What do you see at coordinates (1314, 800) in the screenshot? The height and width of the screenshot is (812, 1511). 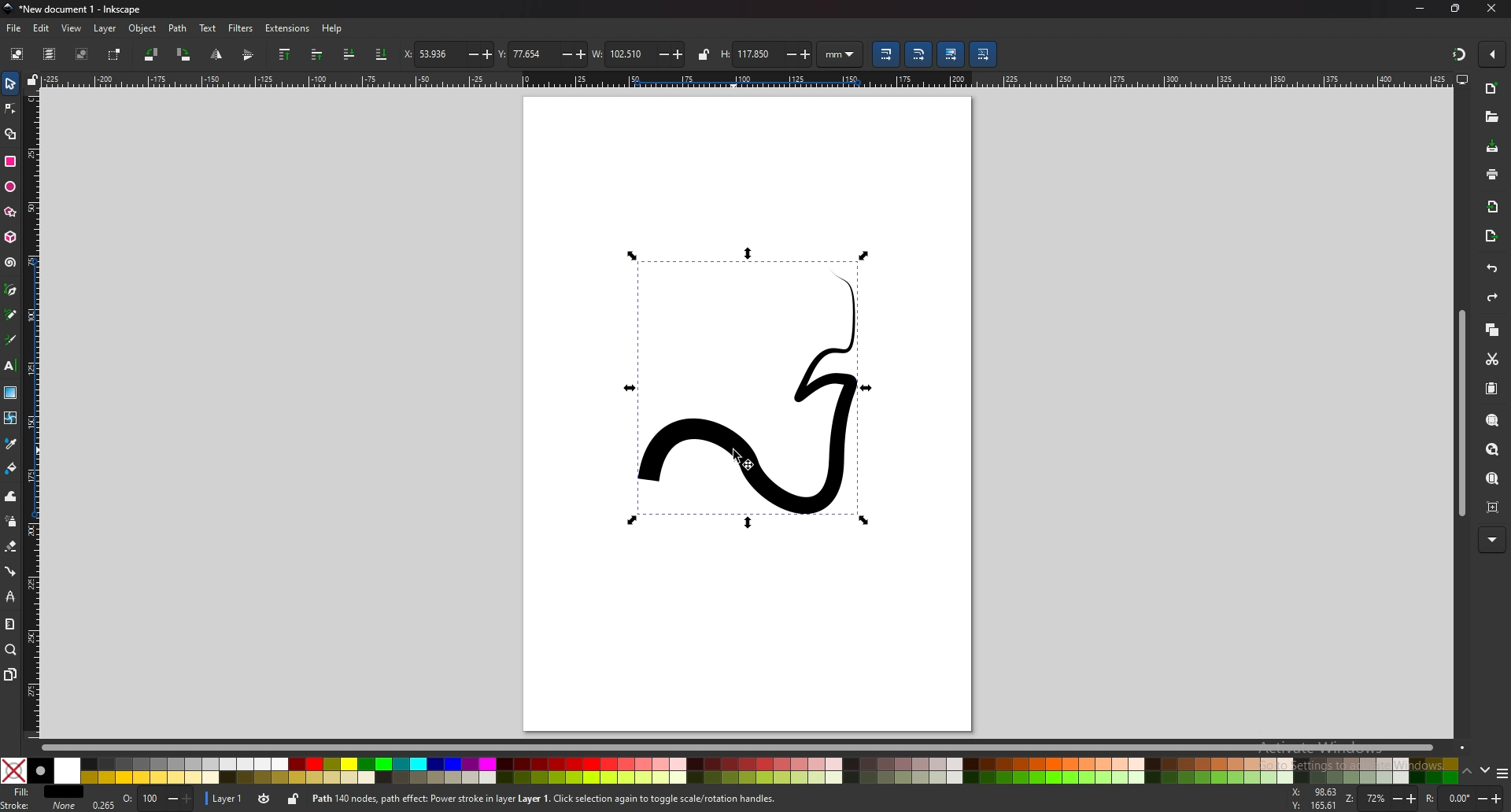 I see `cursor coordinates` at bounding box center [1314, 800].